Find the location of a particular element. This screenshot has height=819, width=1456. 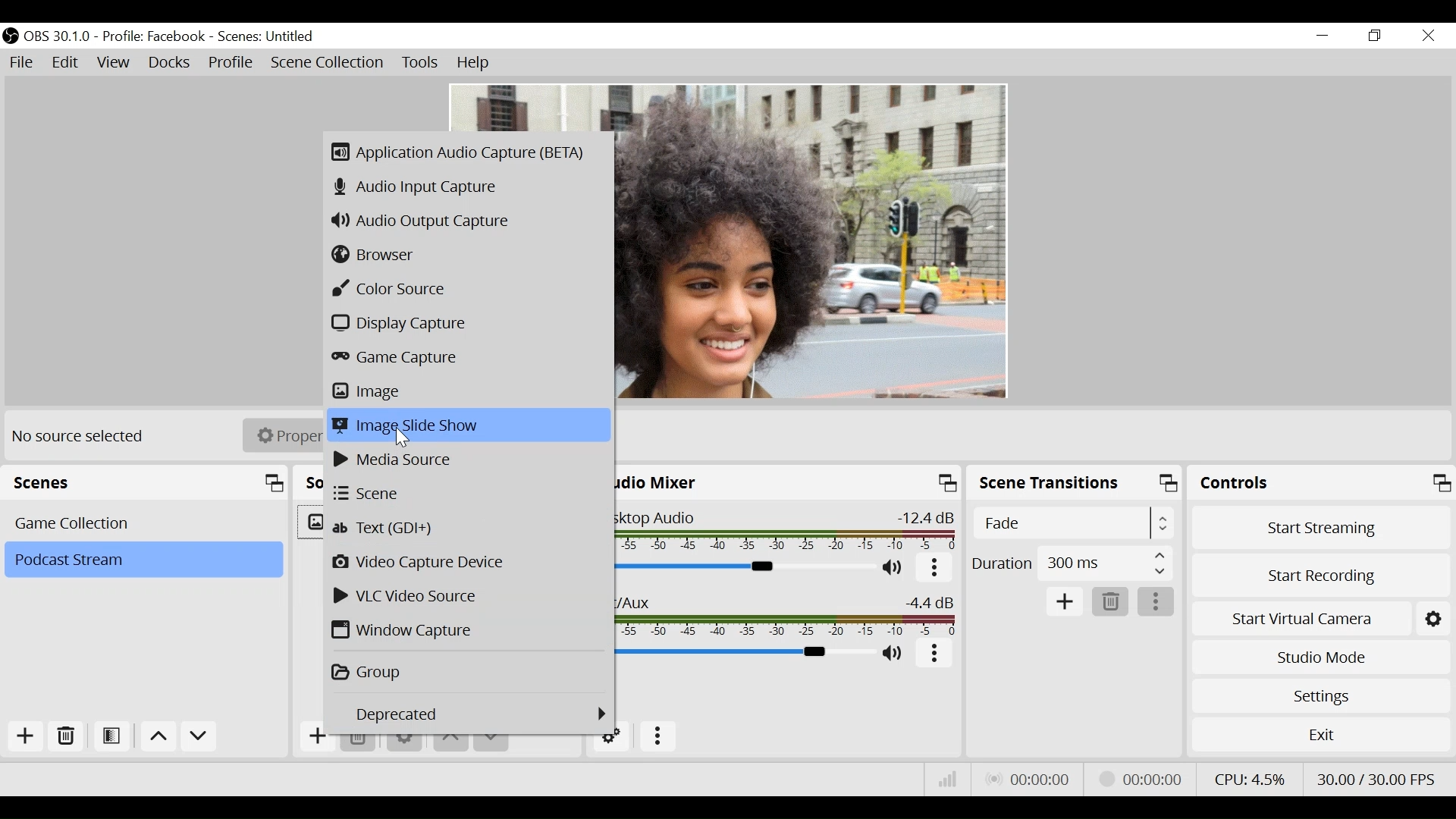

Controls is located at coordinates (1321, 485).